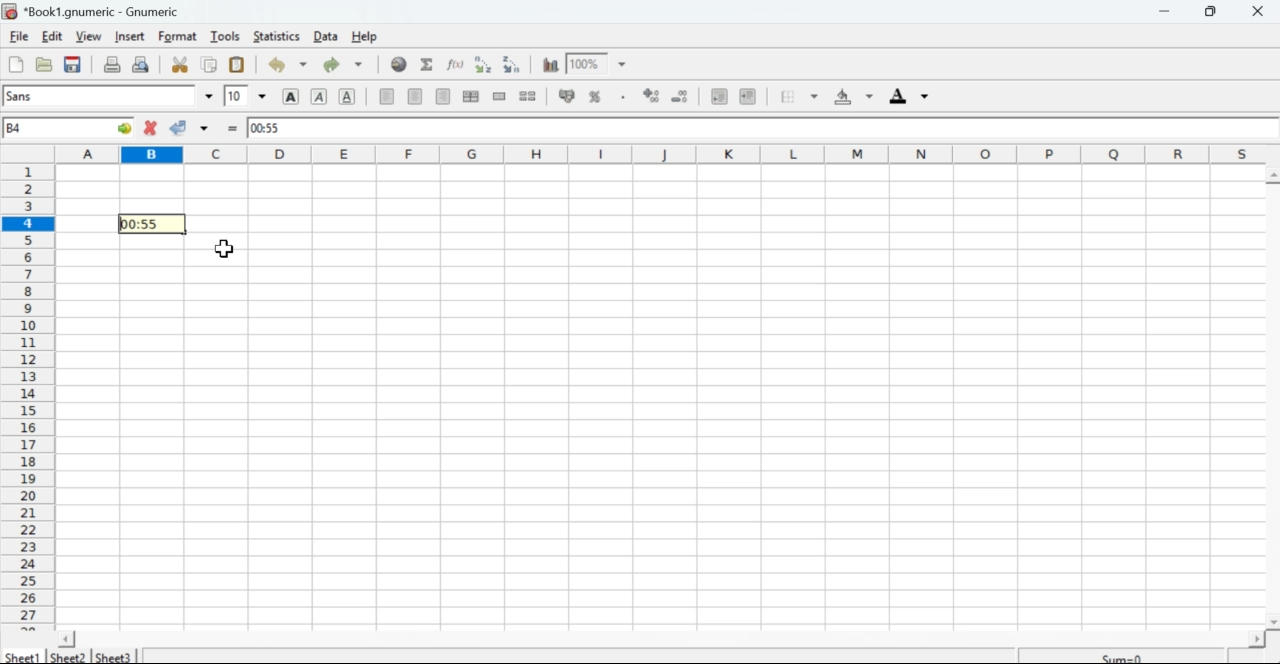 The height and width of the screenshot is (664, 1280). I want to click on Alphabets row, so click(664, 153).